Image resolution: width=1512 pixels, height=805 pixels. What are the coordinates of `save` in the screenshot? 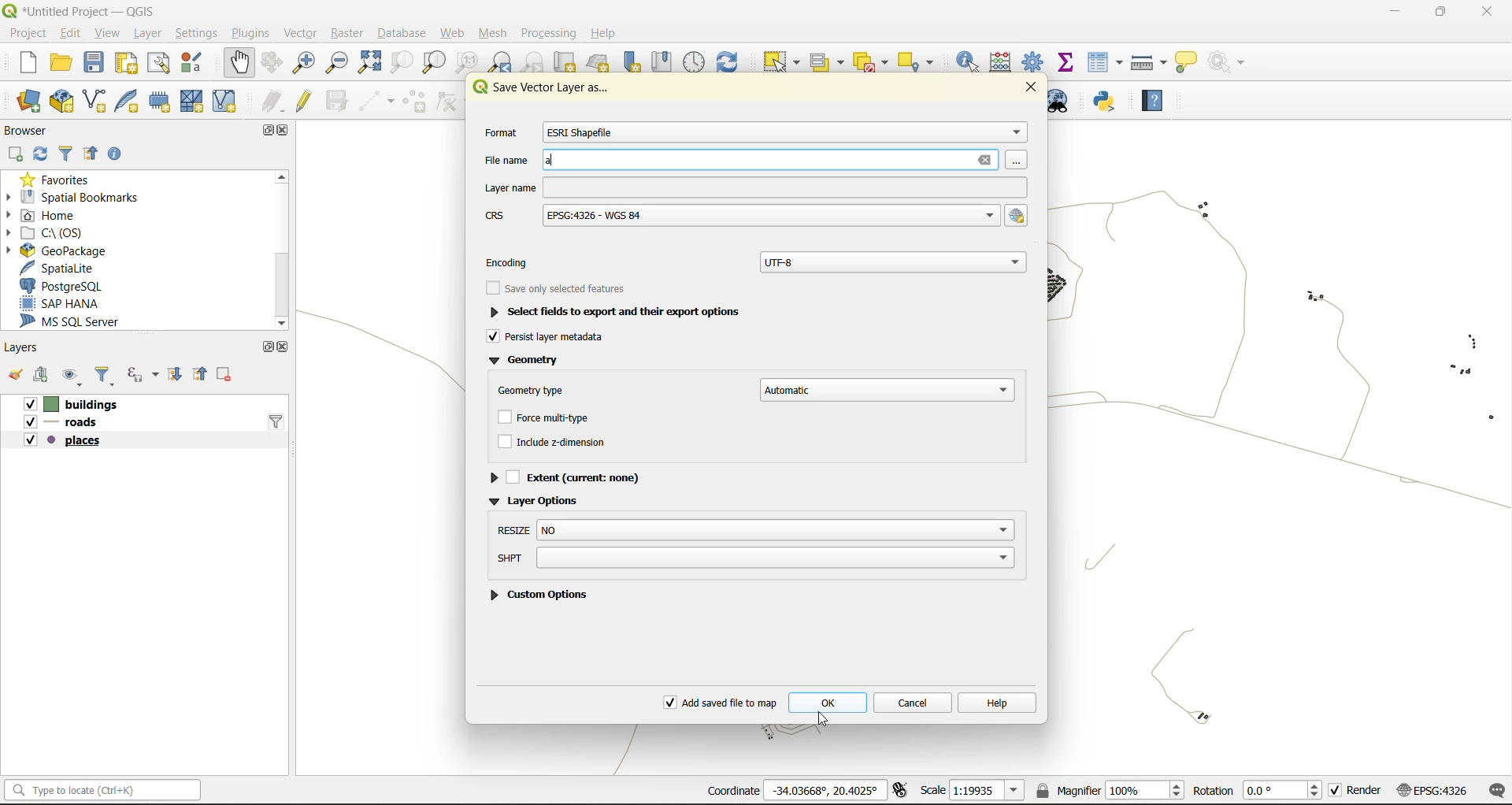 It's located at (94, 61).